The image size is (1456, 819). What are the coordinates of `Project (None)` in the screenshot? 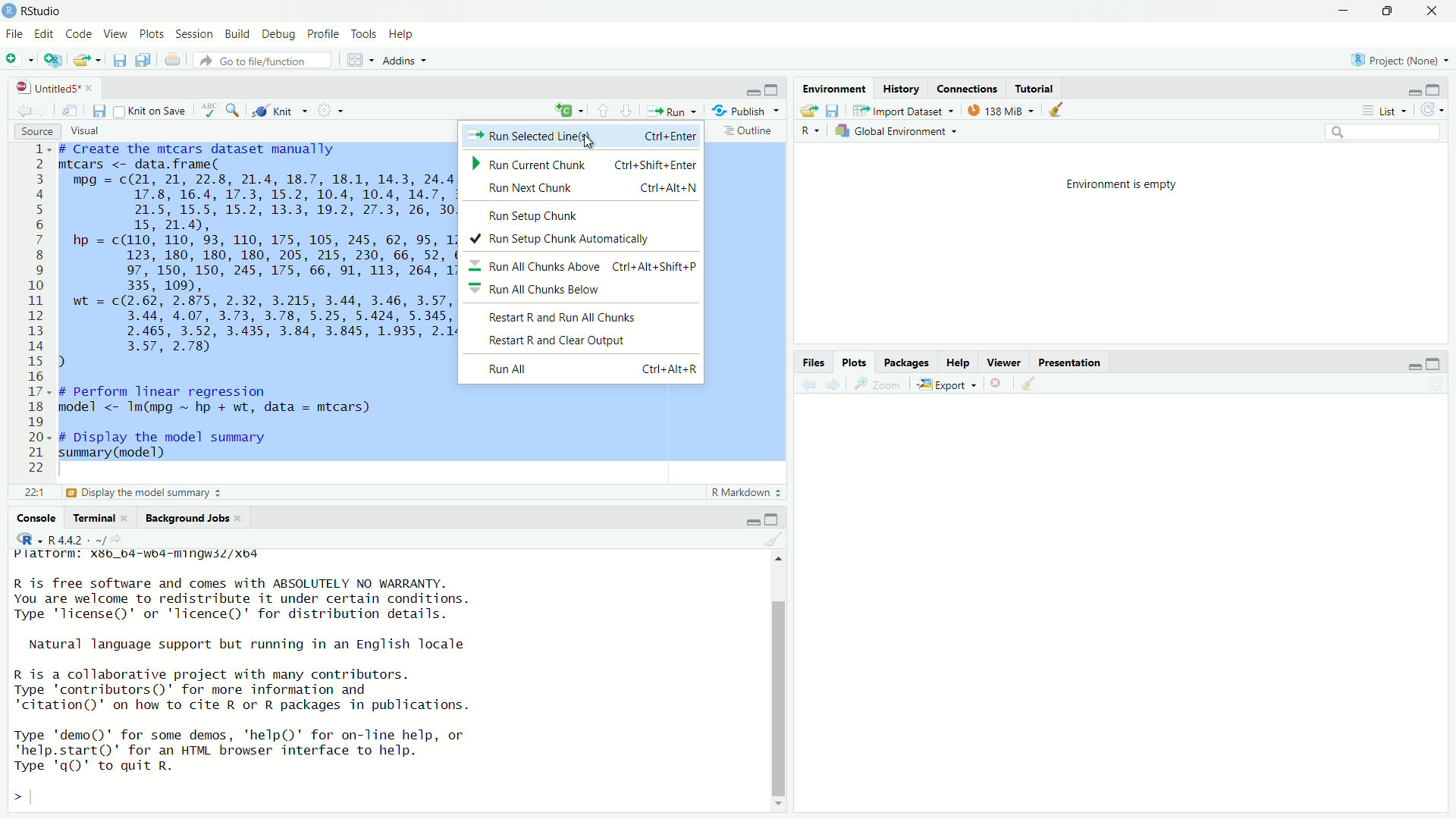 It's located at (1394, 60).